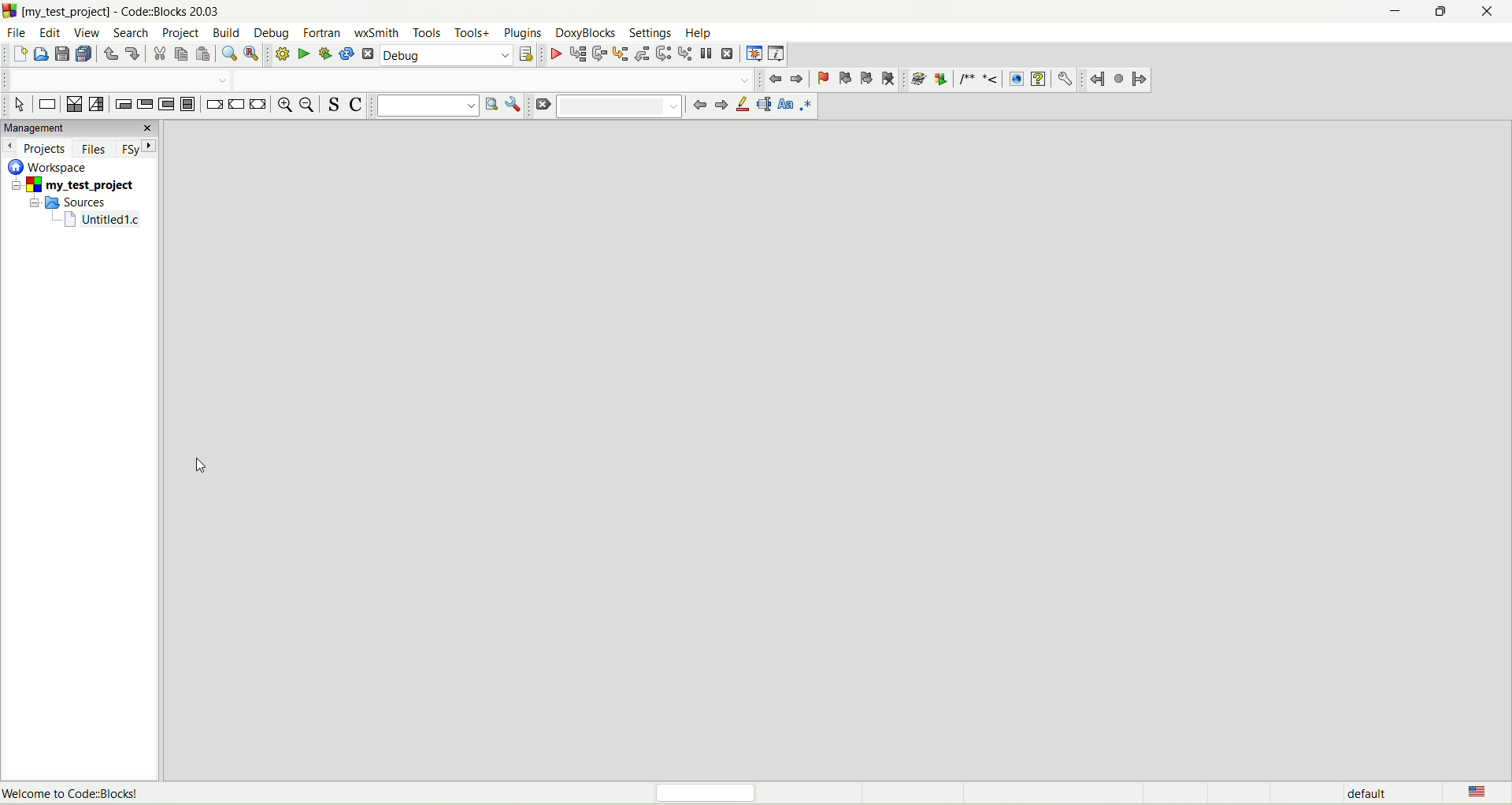 The width and height of the screenshot is (1512, 805). What do you see at coordinates (1039, 80) in the screenshot?
I see `CHM` at bounding box center [1039, 80].